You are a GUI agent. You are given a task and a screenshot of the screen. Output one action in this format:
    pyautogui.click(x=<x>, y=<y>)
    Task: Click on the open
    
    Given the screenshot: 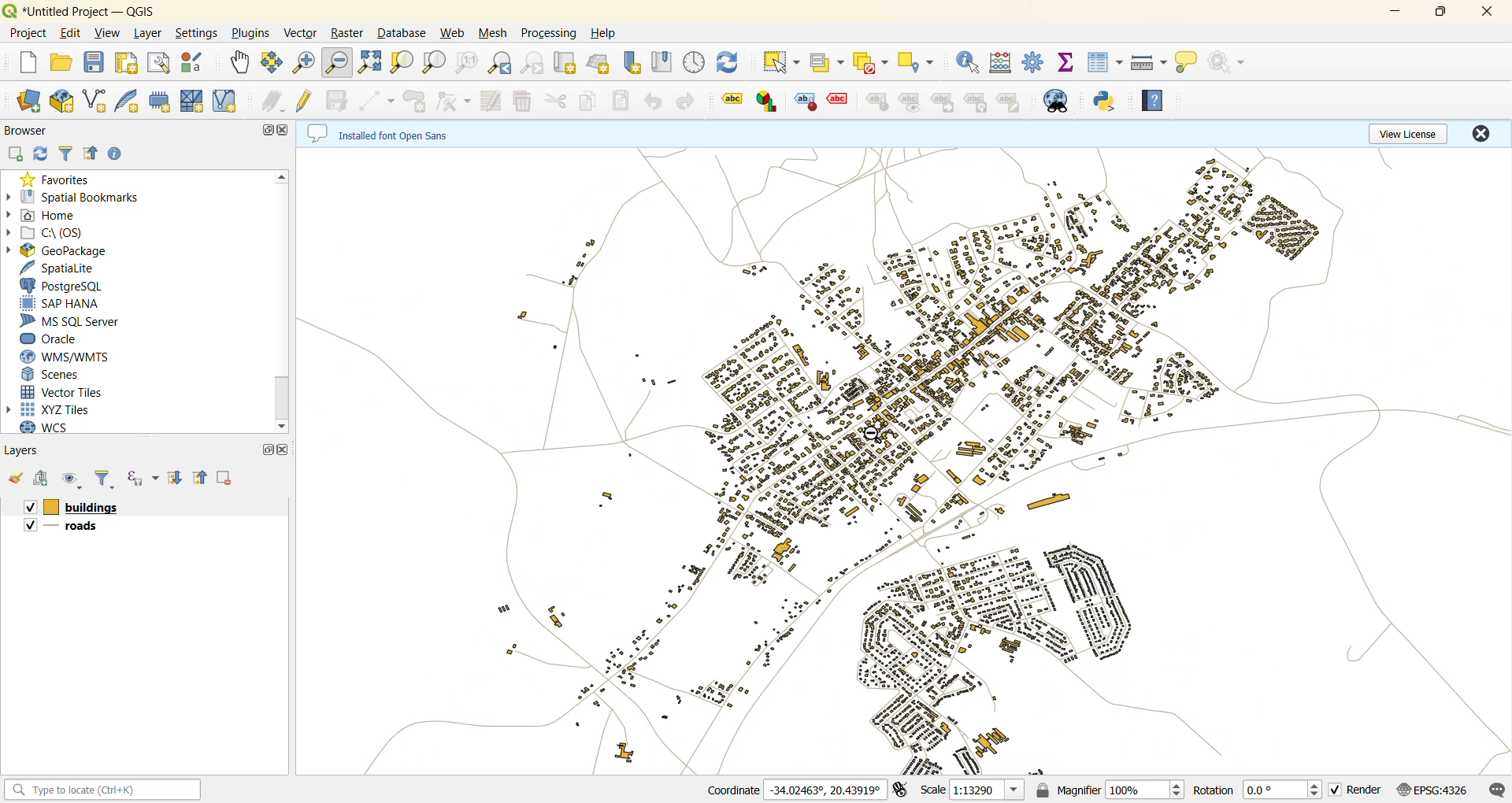 What is the action you would take?
    pyautogui.click(x=61, y=64)
    